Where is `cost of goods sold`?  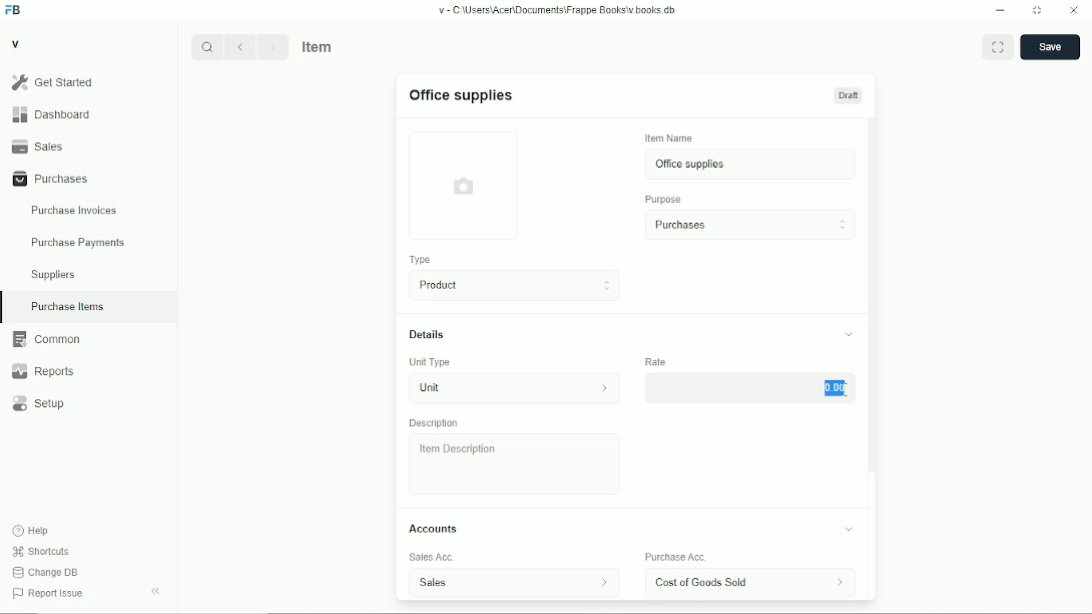 cost of goods sold is located at coordinates (710, 582).